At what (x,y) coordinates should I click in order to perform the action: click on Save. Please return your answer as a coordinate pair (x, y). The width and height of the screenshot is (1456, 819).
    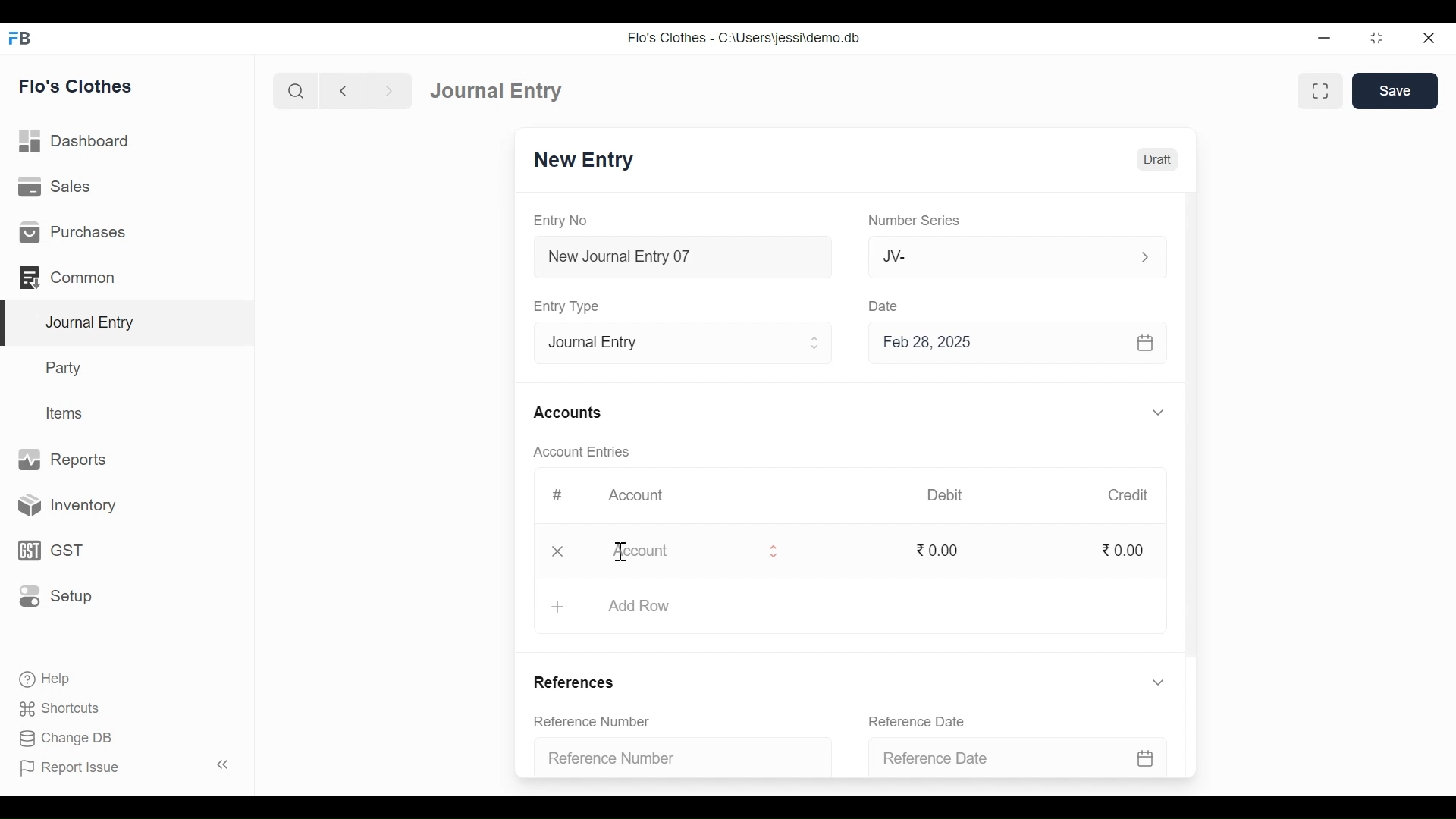
    Looking at the image, I should click on (1395, 90).